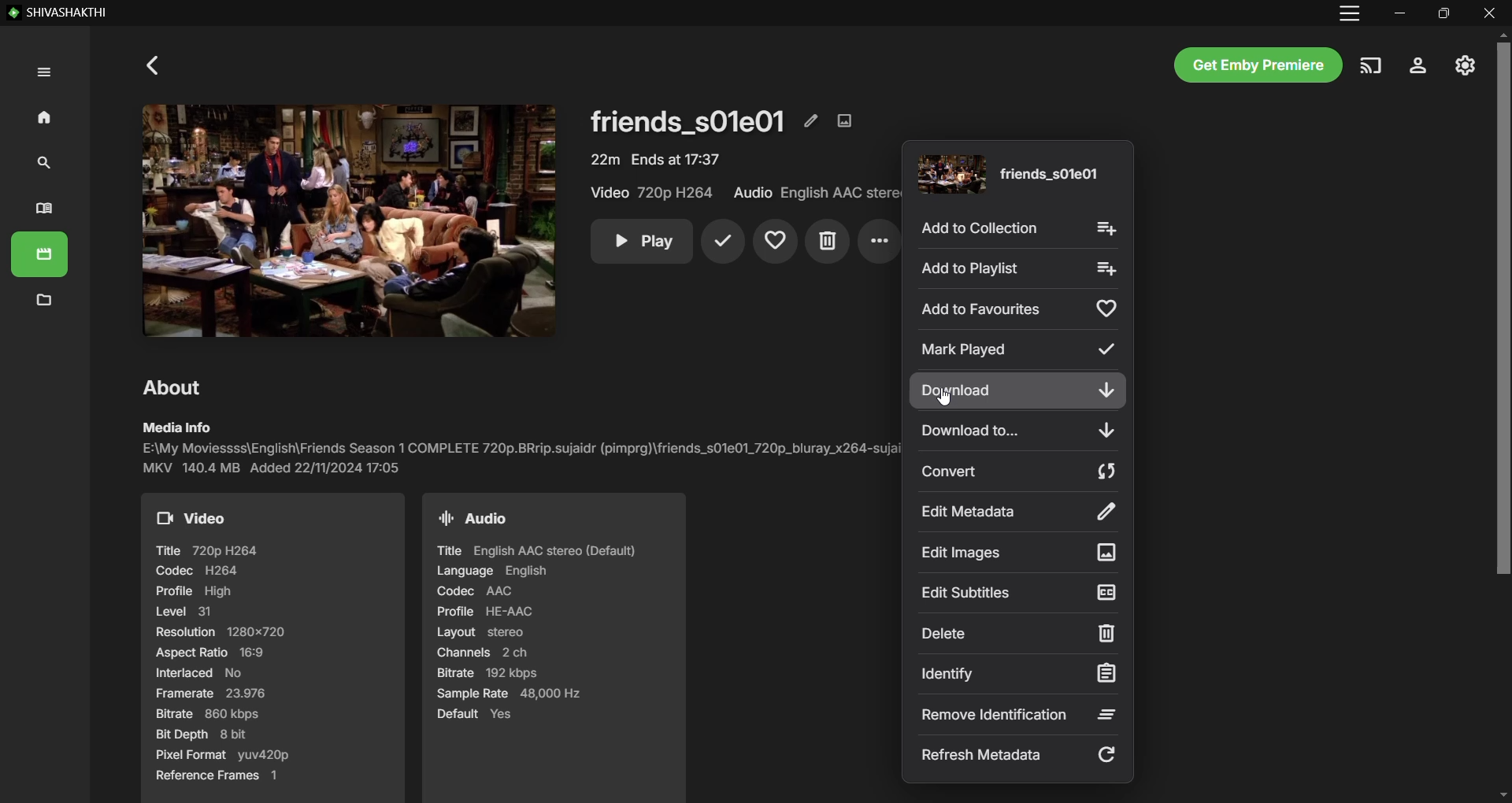 Image resolution: width=1512 pixels, height=803 pixels. I want to click on Settings, so click(1418, 66).